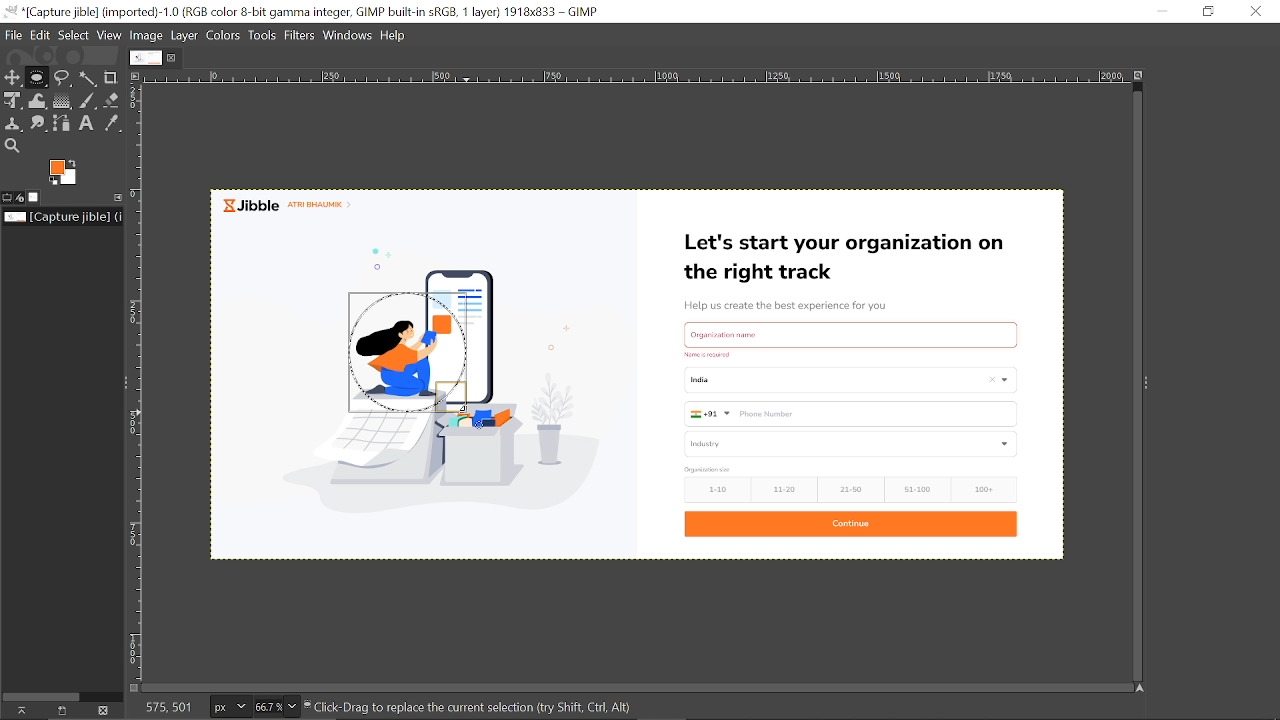 The image size is (1280, 720). Describe the element at coordinates (87, 123) in the screenshot. I see `Text tool` at that location.